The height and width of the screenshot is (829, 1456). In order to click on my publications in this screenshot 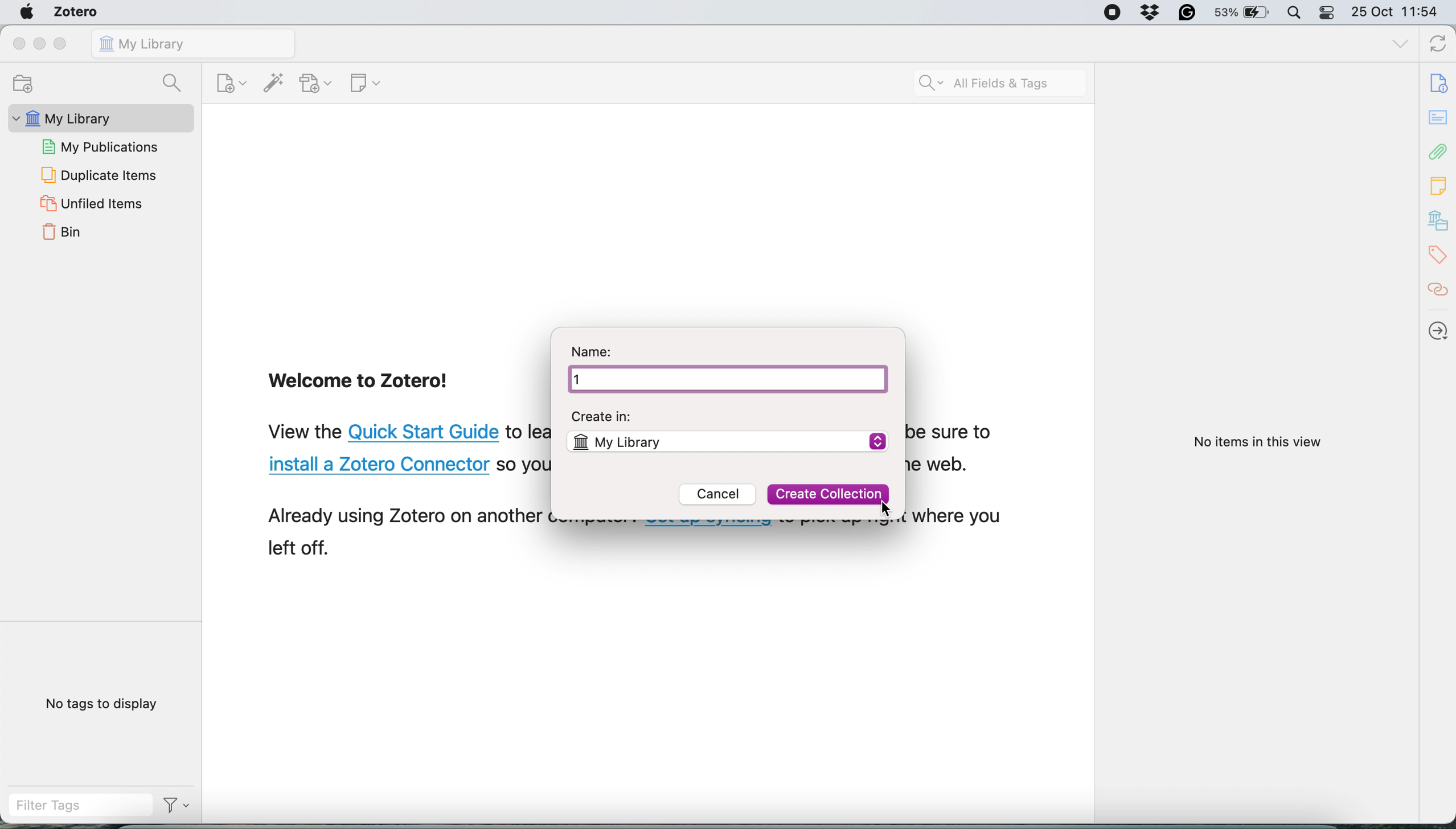, I will do `click(103, 145)`.